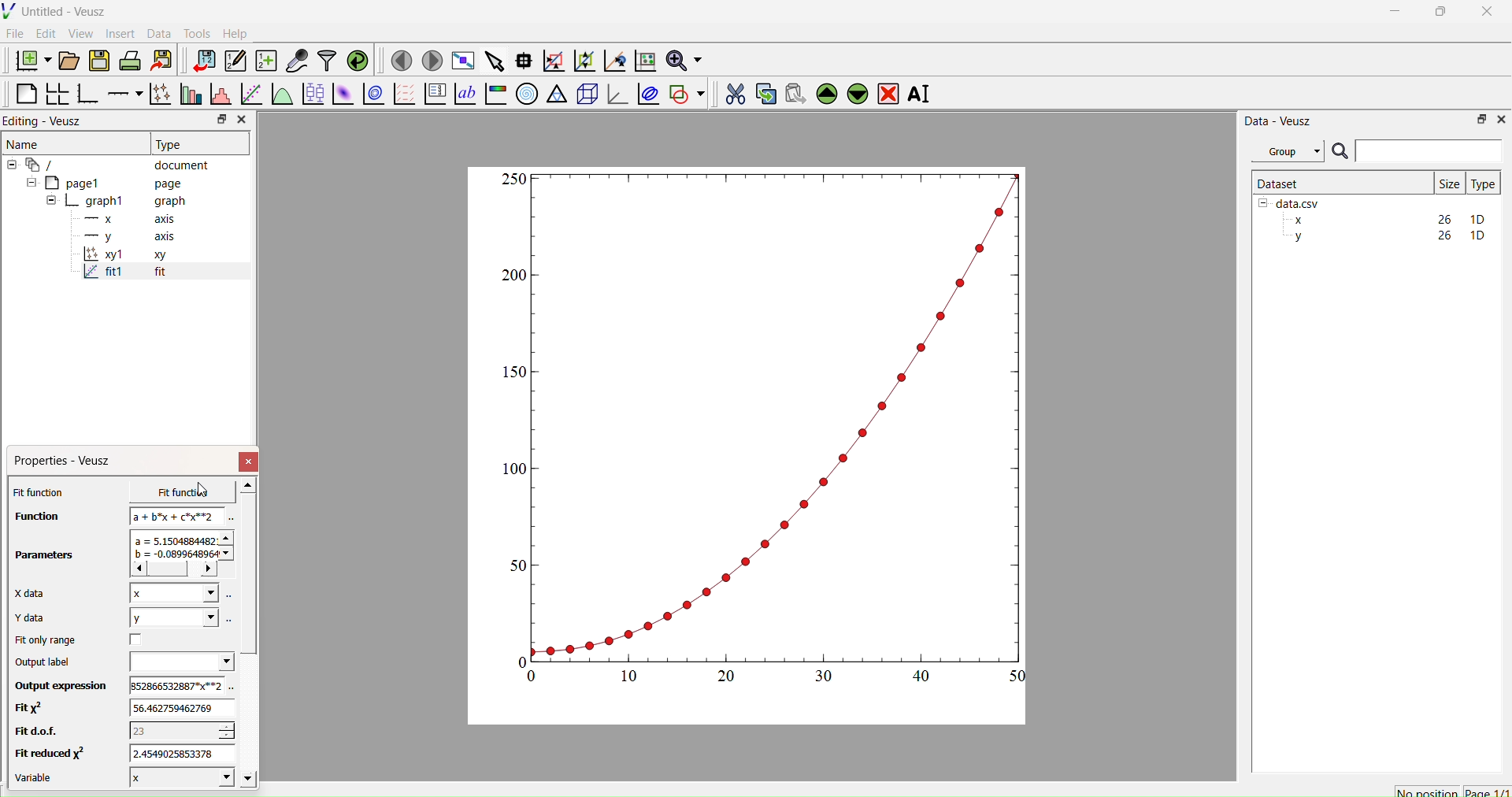 Image resolution: width=1512 pixels, height=797 pixels. Describe the element at coordinates (66, 61) in the screenshot. I see `Open` at that location.